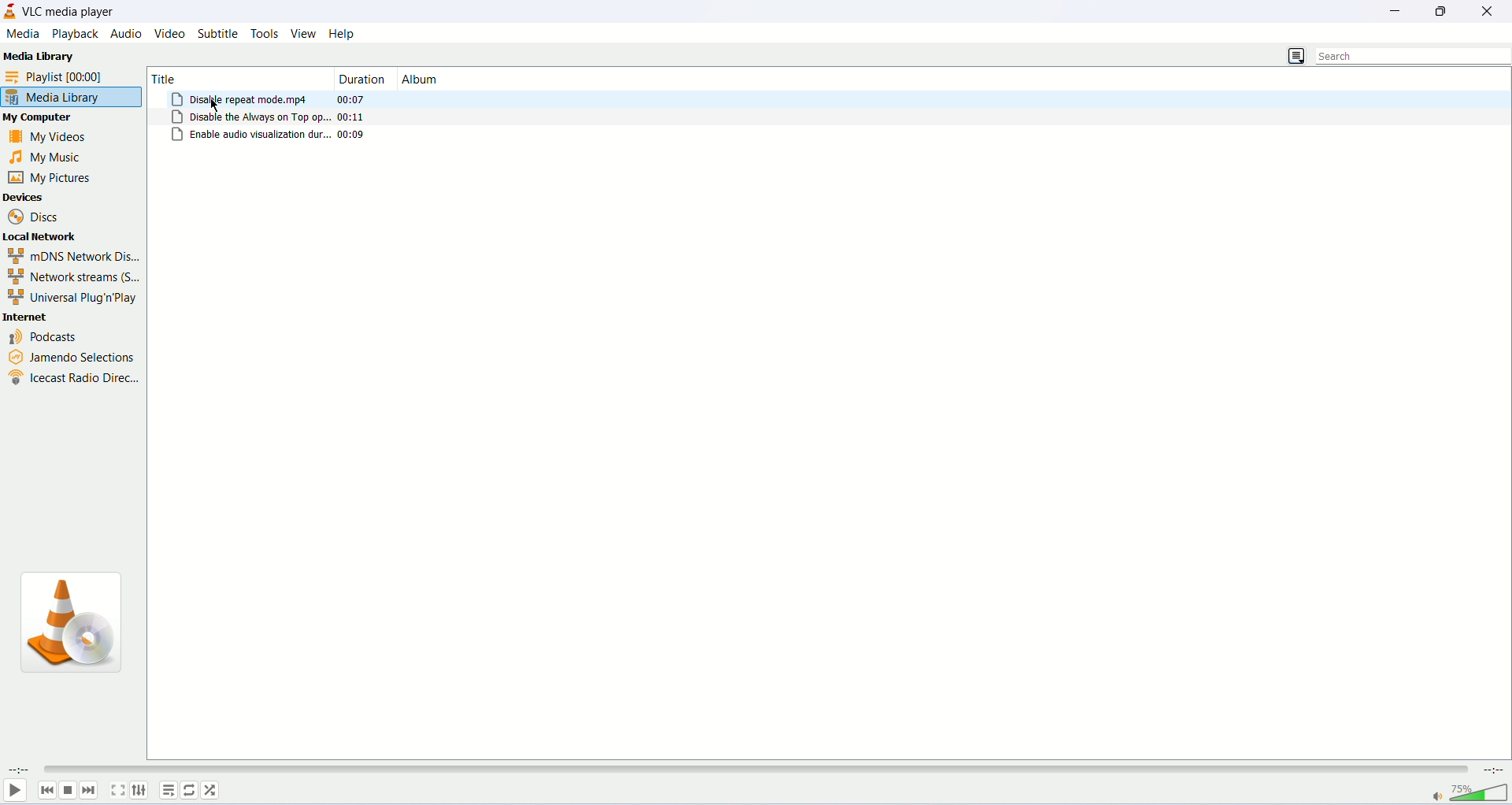 This screenshot has height=805, width=1512. What do you see at coordinates (1492, 770) in the screenshot?
I see `remaining time` at bounding box center [1492, 770].